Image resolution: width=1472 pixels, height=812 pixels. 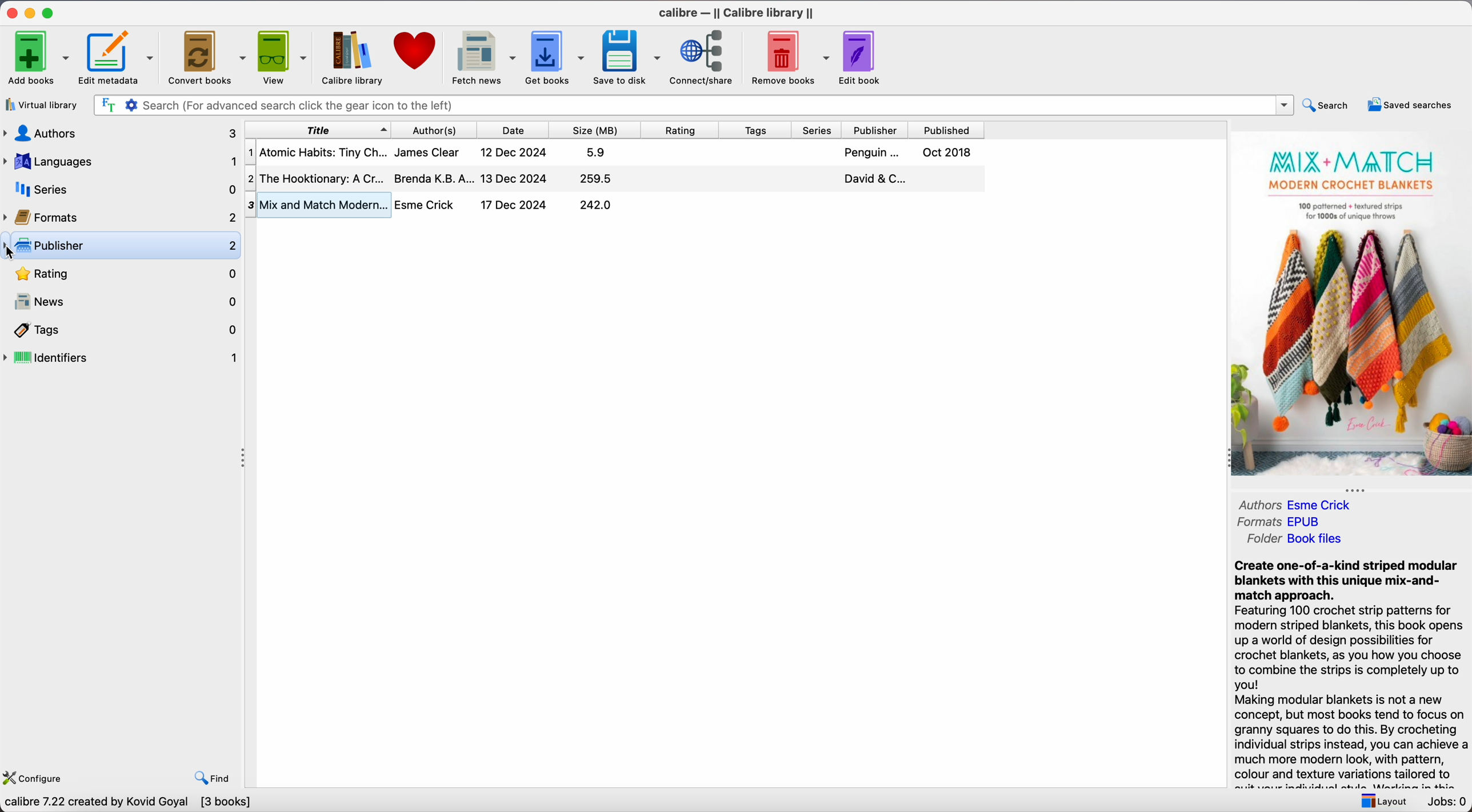 I want to click on folder Book files, so click(x=1296, y=539).